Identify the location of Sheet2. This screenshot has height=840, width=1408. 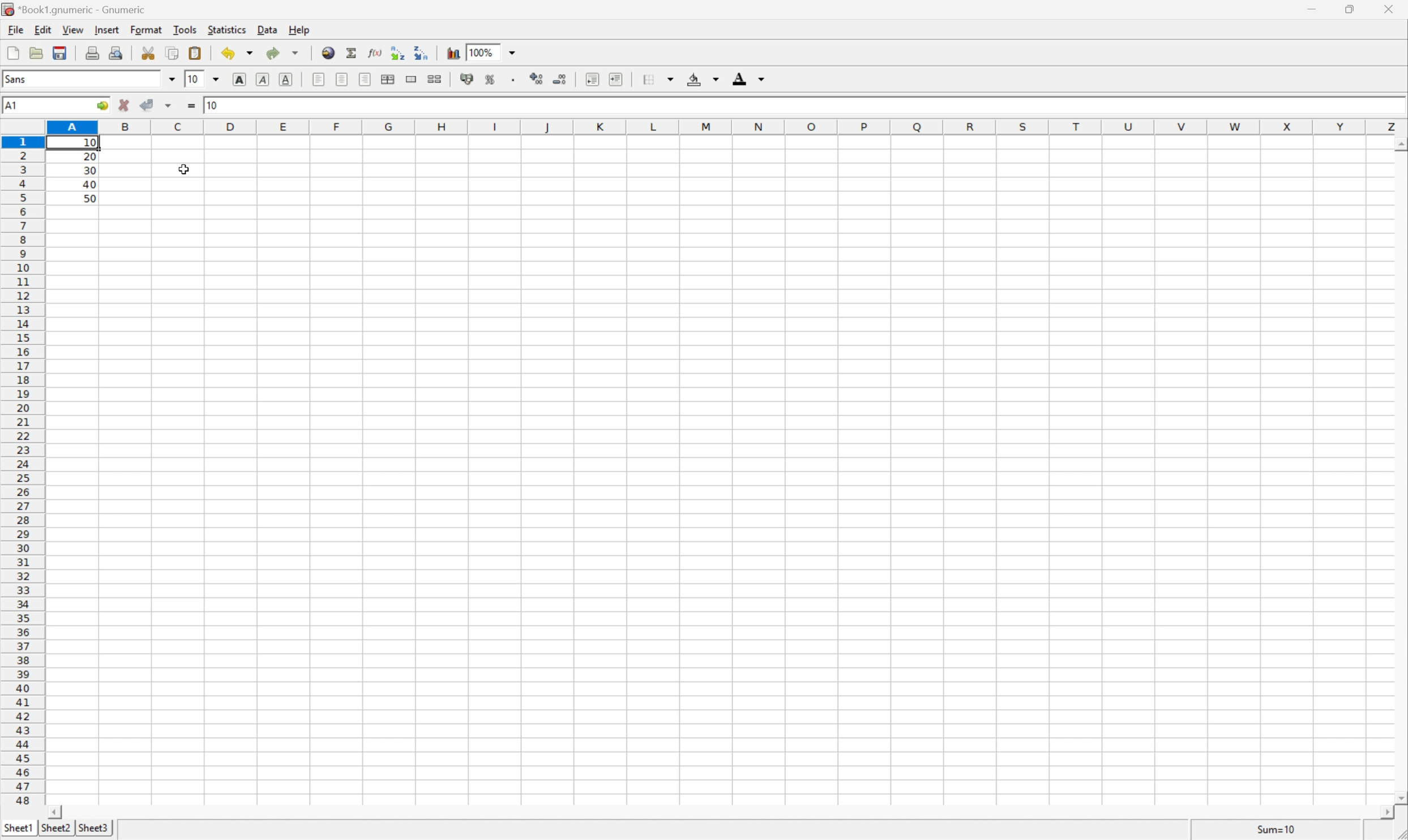
(55, 829).